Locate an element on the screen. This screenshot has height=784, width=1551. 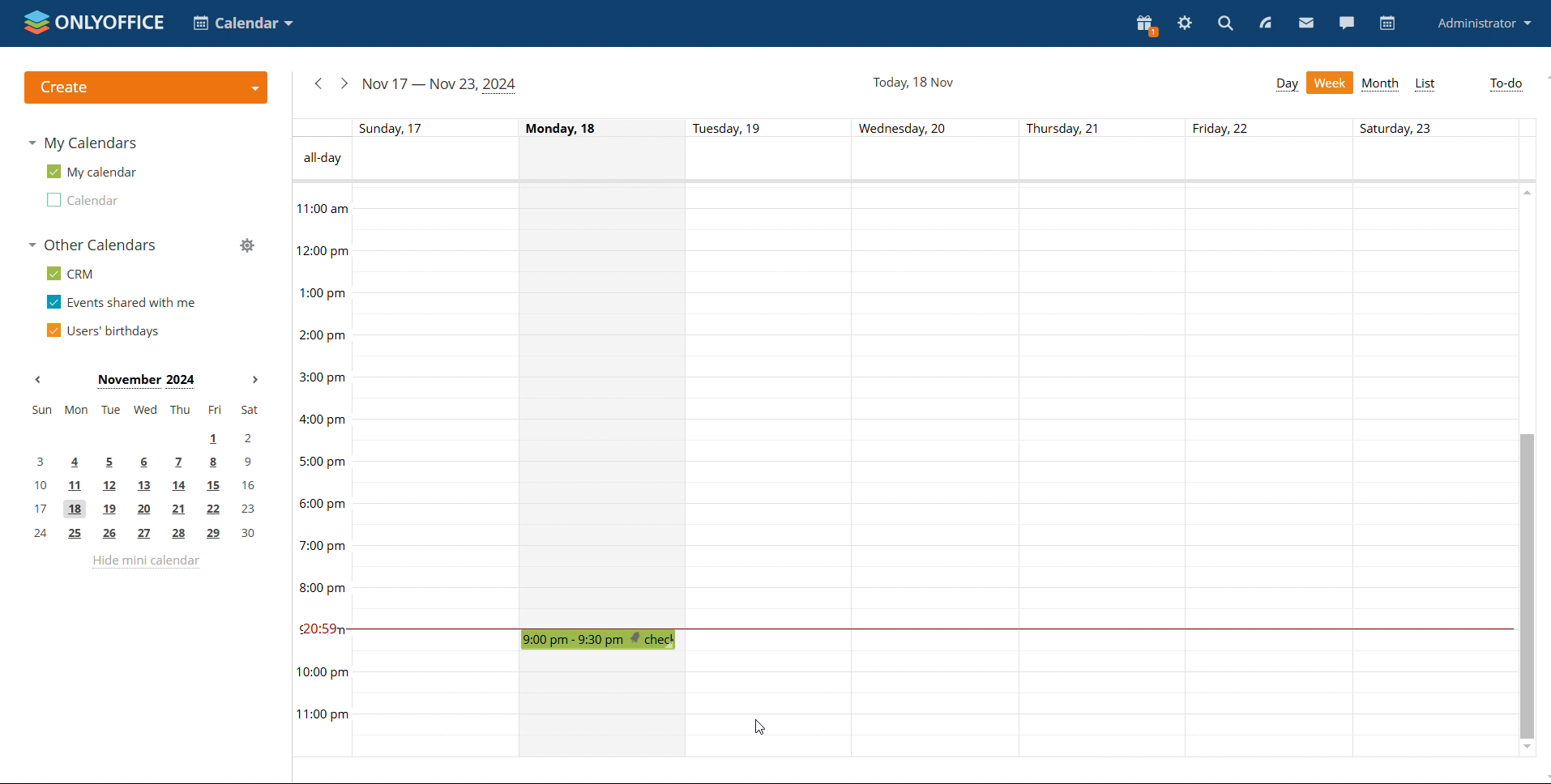
settings is located at coordinates (1185, 23).